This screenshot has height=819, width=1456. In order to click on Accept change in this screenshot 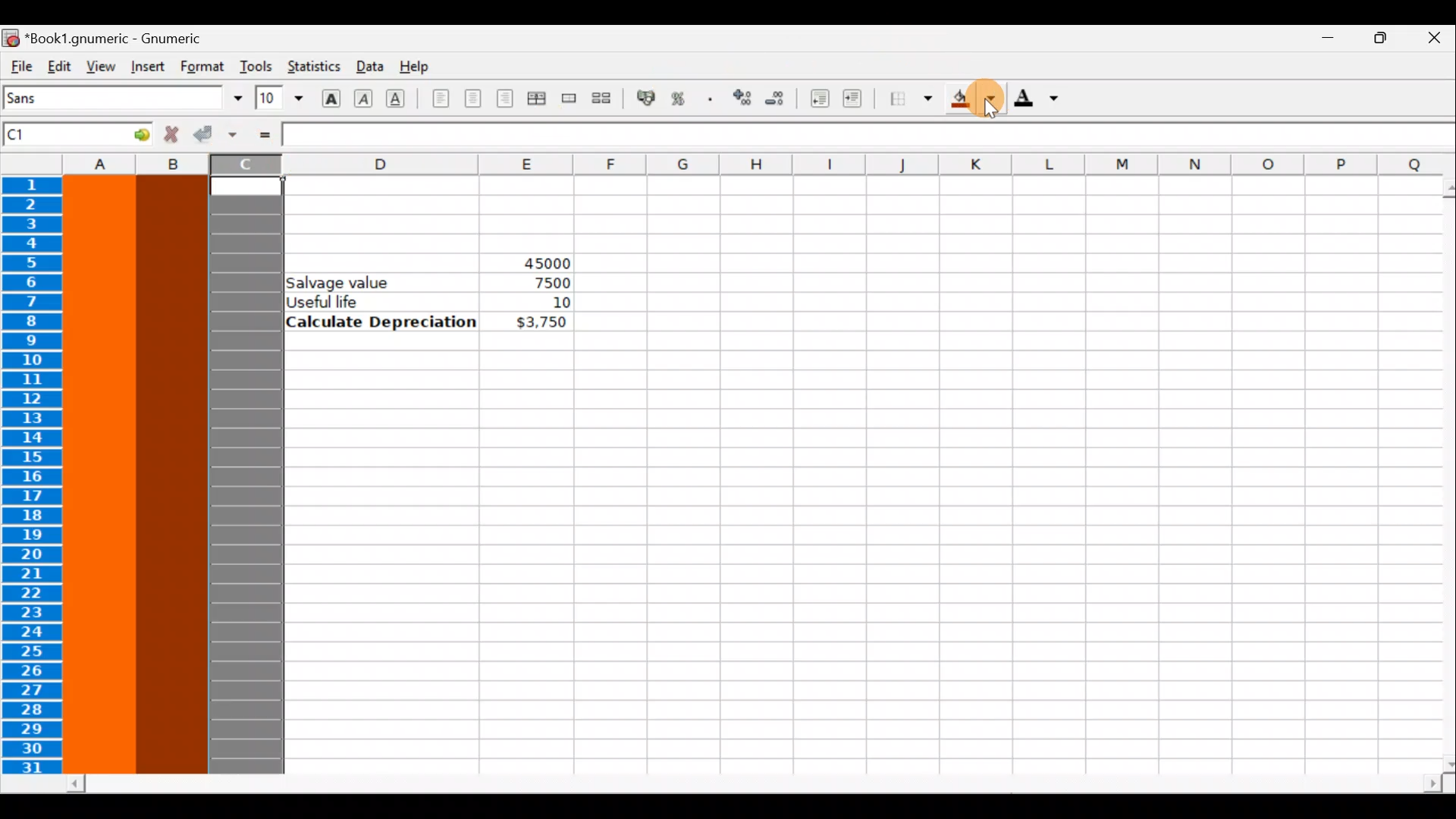, I will do `click(215, 135)`.